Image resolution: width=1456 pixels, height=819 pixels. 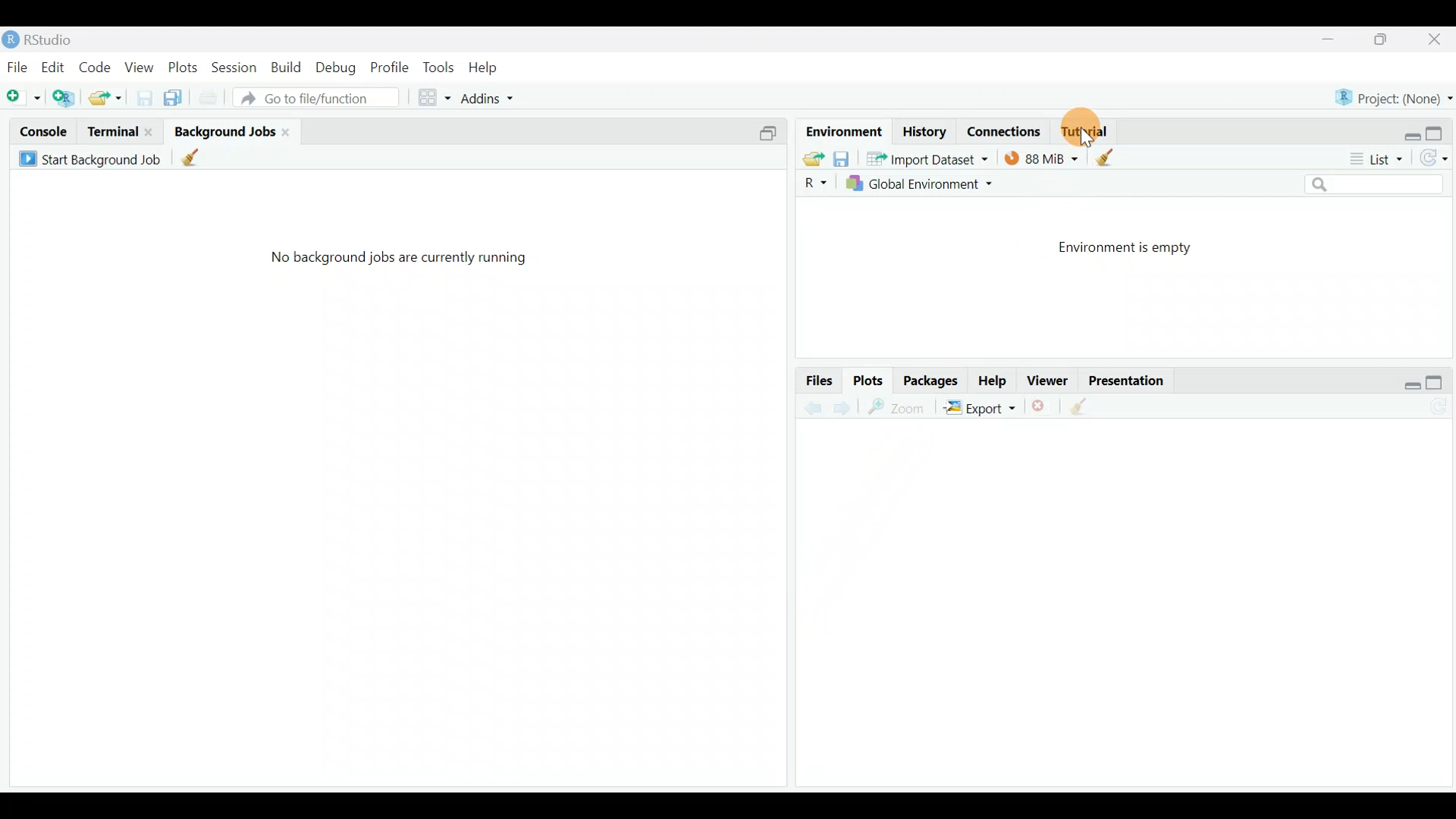 I want to click on Search bar, so click(x=1382, y=186).